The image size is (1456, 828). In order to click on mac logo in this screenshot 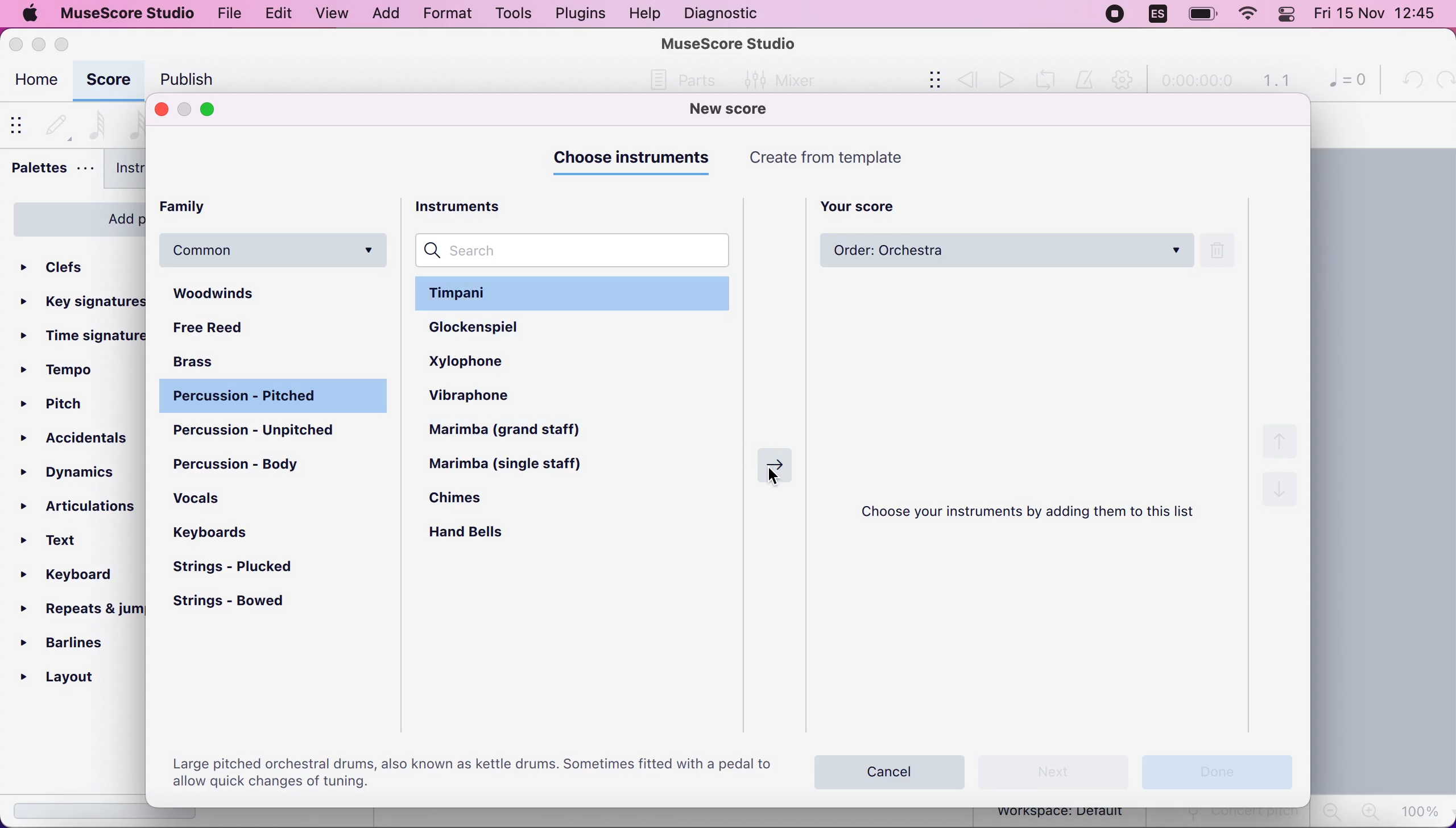, I will do `click(30, 15)`.